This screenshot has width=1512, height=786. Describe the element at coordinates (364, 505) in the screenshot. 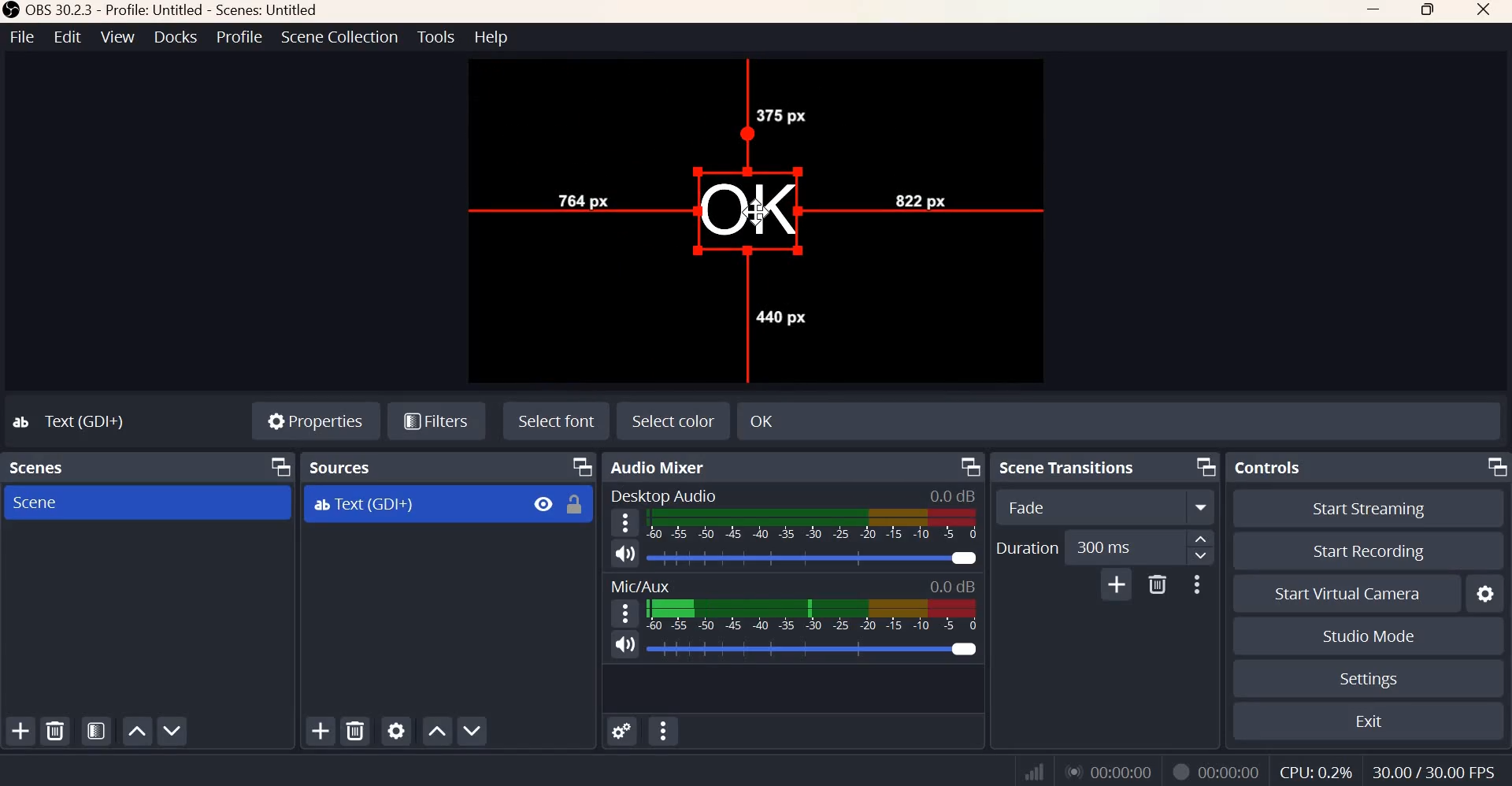

I see `Text (GDI+)` at that location.